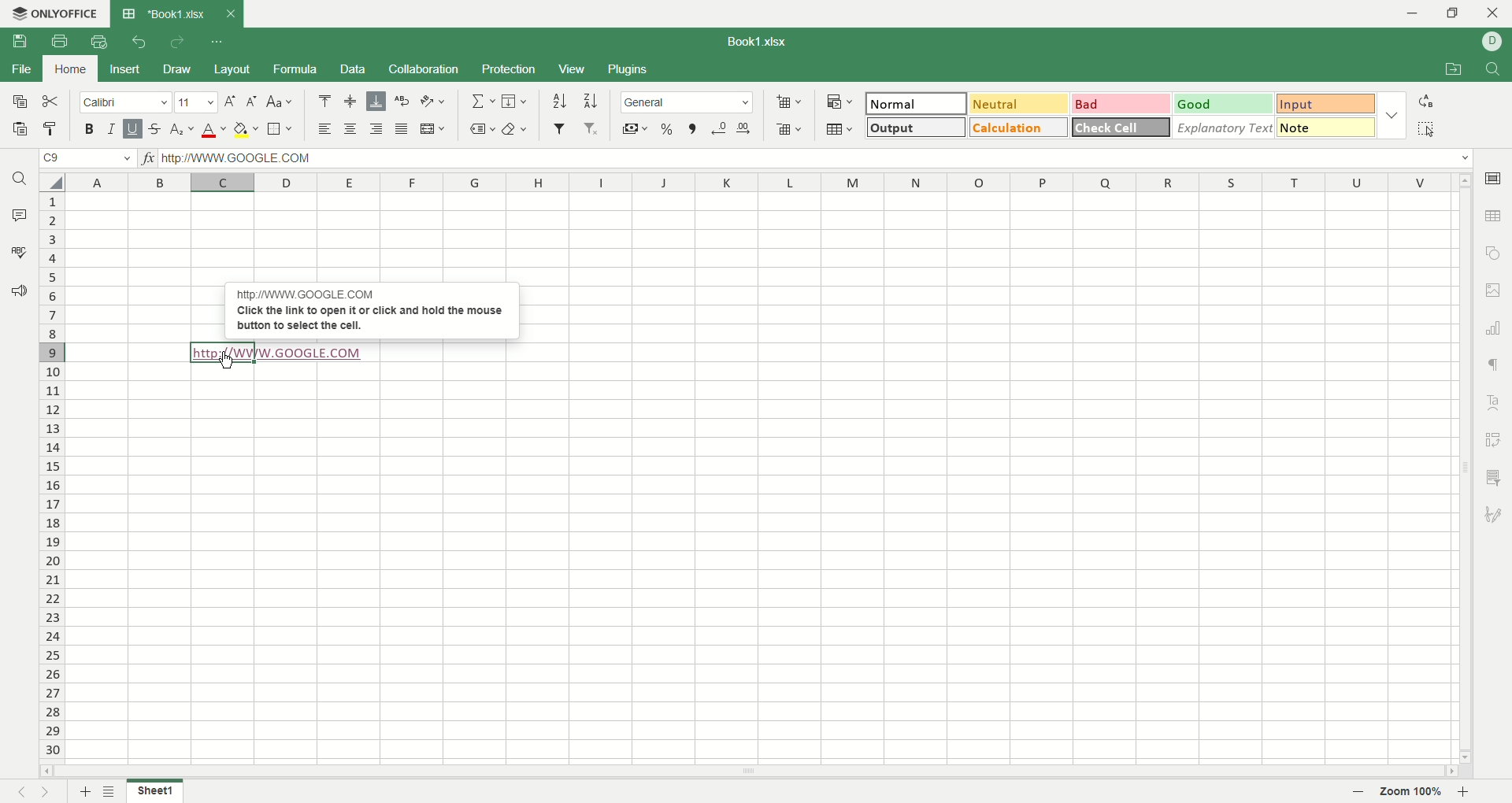  I want to click on select all, so click(1429, 129).